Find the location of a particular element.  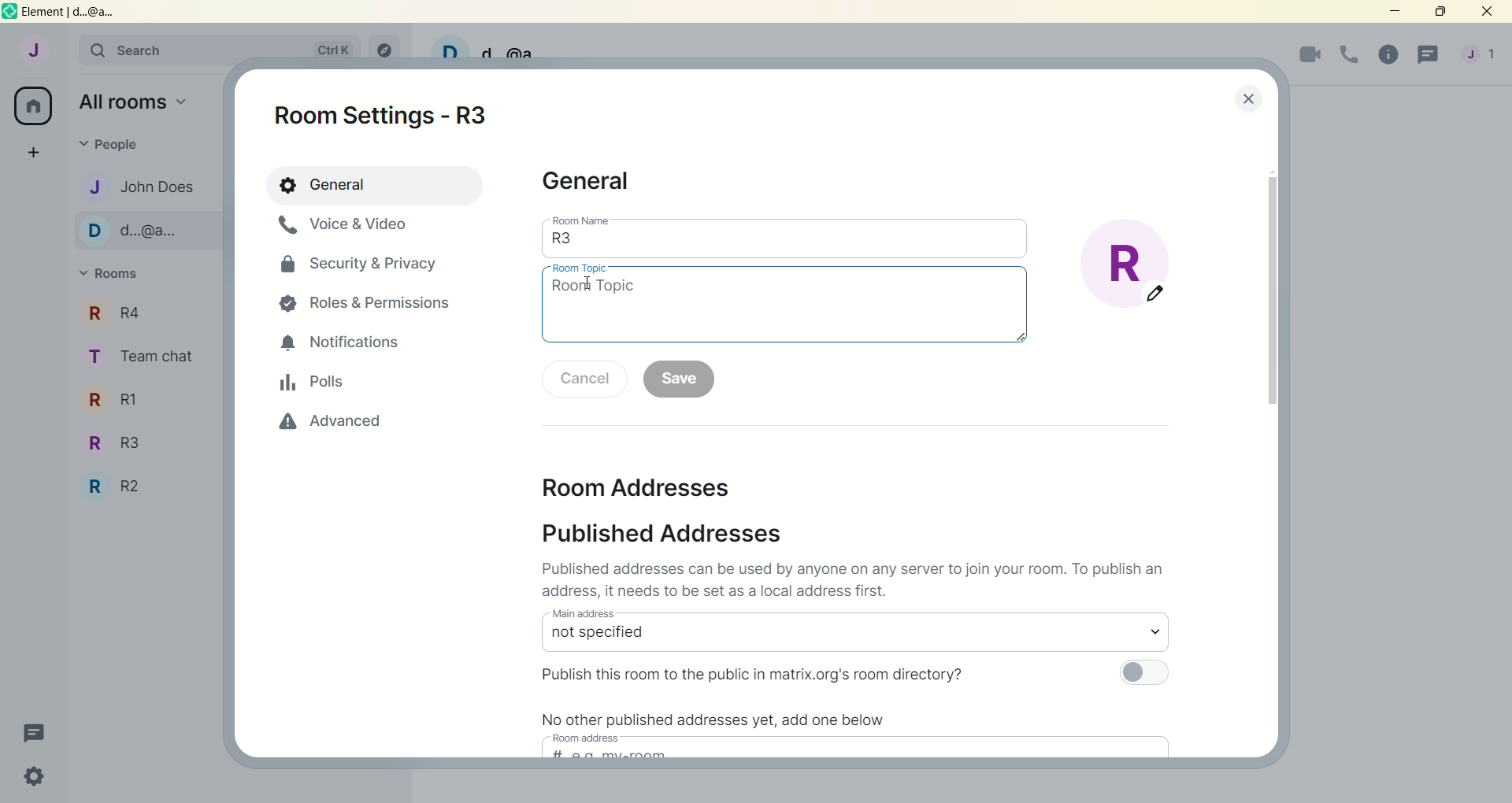

all rooms is located at coordinates (139, 101).